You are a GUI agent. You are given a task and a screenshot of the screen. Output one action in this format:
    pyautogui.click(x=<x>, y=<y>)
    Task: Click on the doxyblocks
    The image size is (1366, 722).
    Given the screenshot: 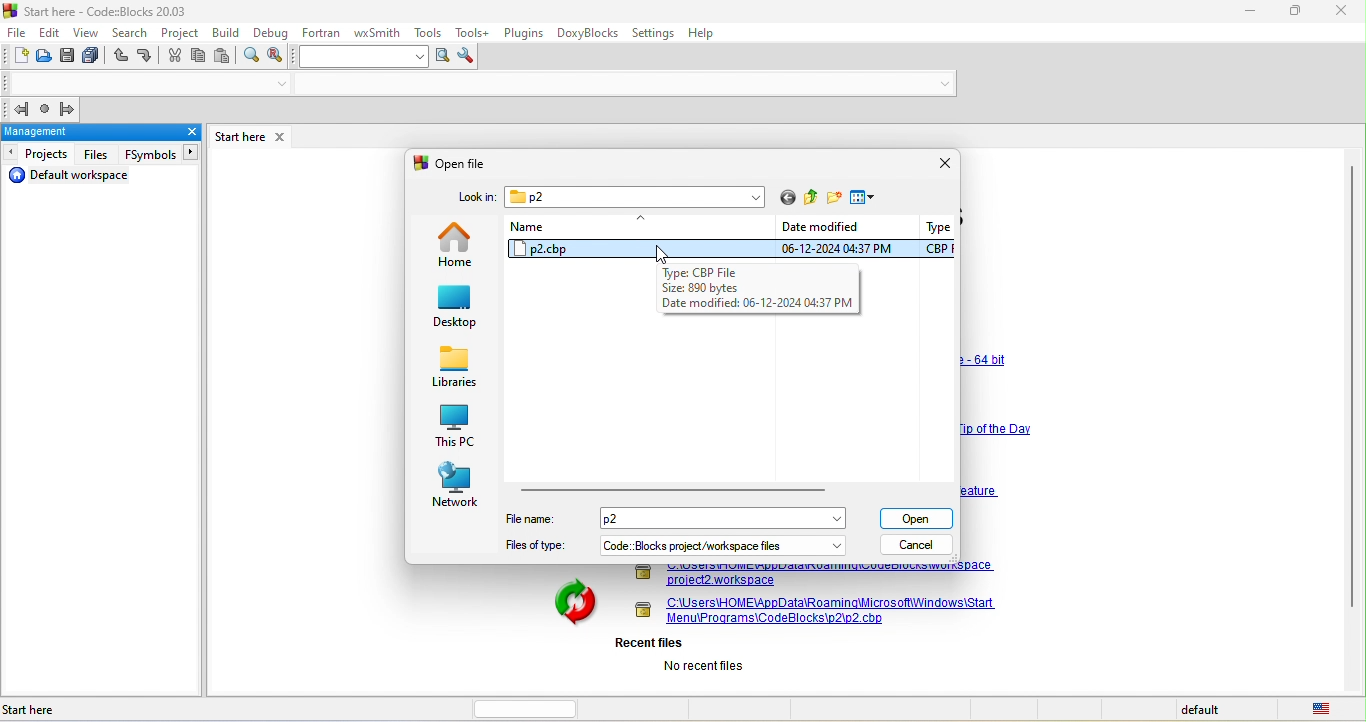 What is the action you would take?
    pyautogui.click(x=589, y=35)
    